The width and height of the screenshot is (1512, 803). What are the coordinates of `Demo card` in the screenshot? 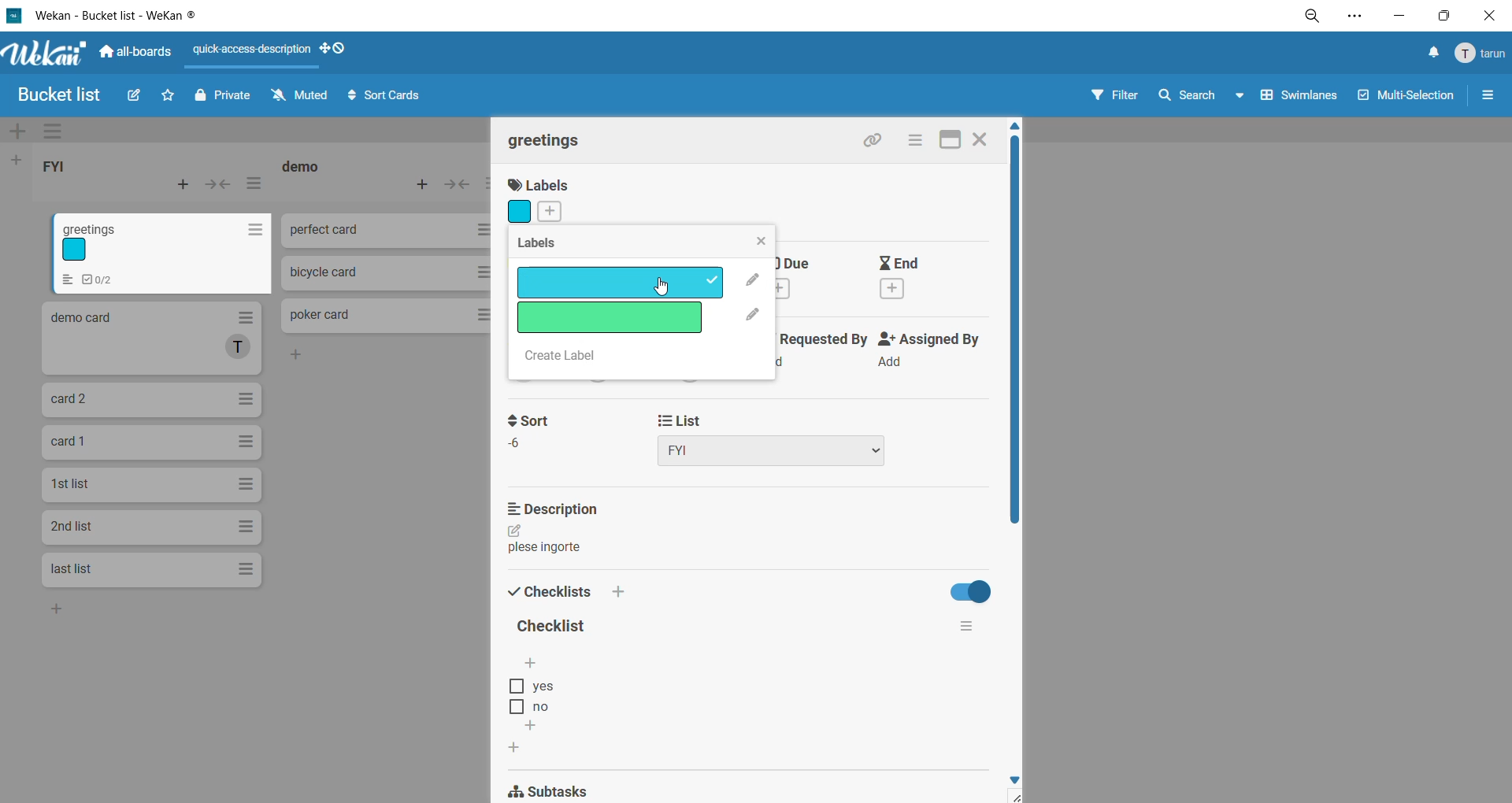 It's located at (150, 339).